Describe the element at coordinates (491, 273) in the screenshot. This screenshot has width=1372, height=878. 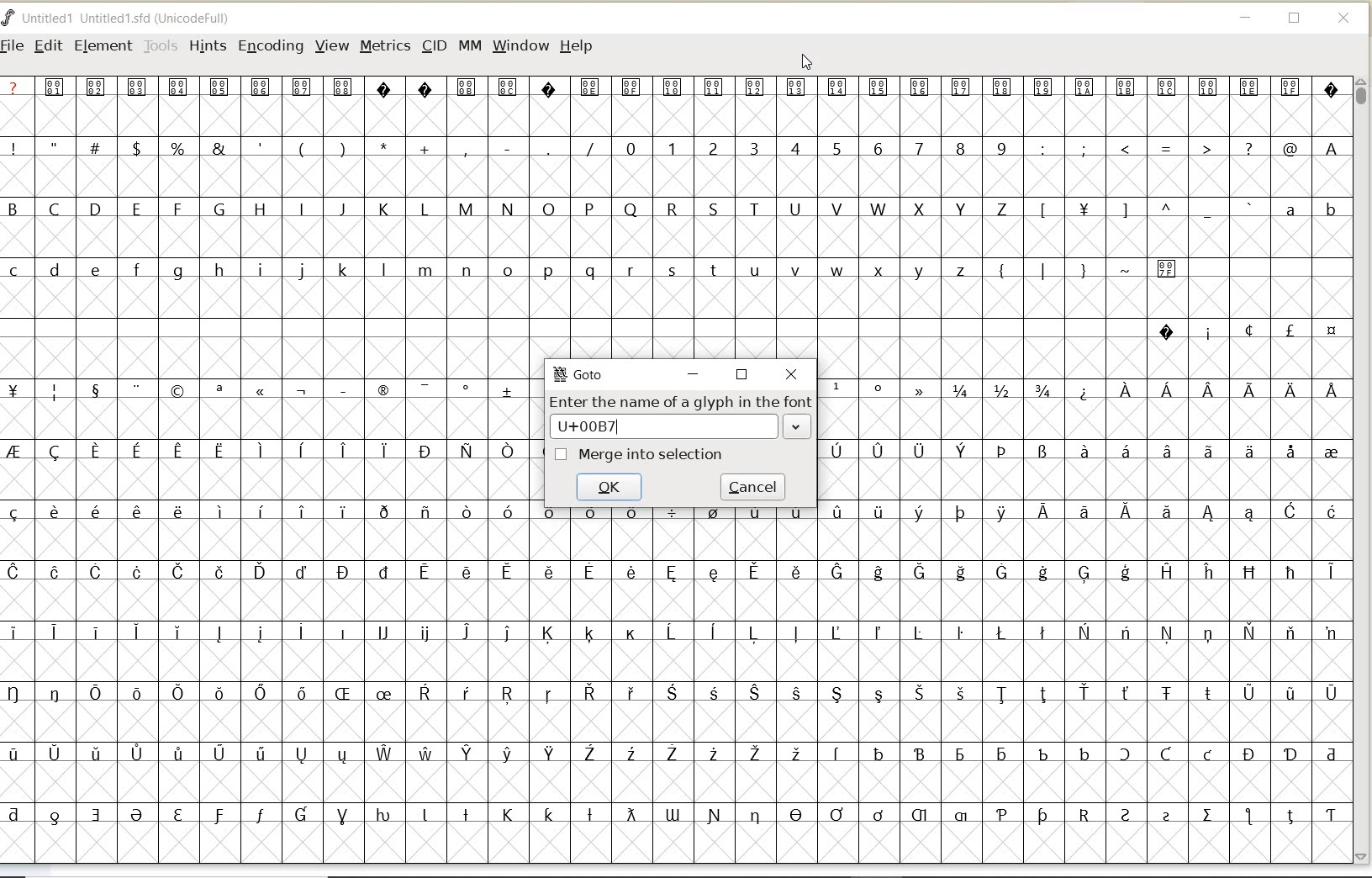
I see `lowercase letters` at that location.